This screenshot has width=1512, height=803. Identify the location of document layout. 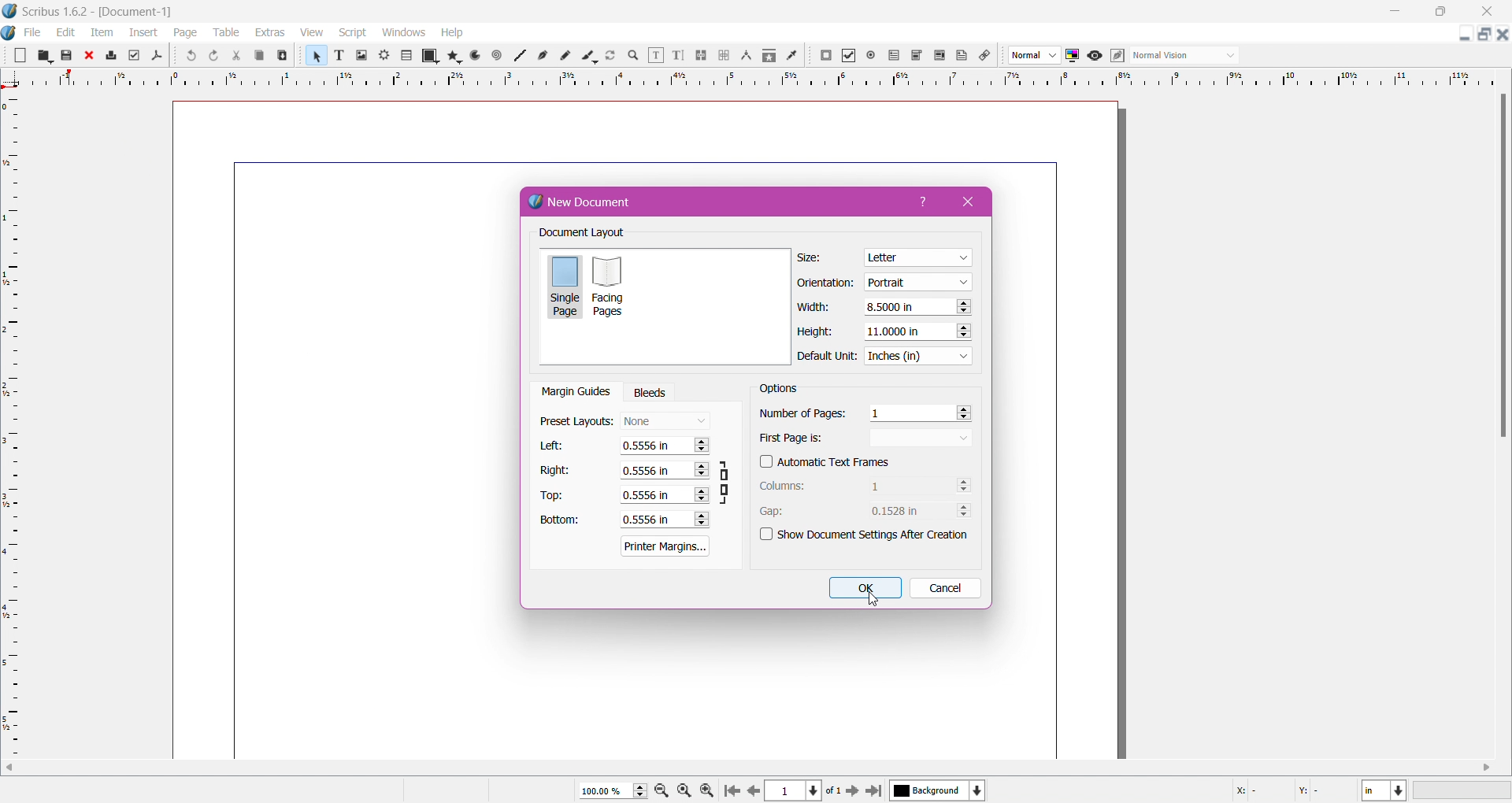
(606, 233).